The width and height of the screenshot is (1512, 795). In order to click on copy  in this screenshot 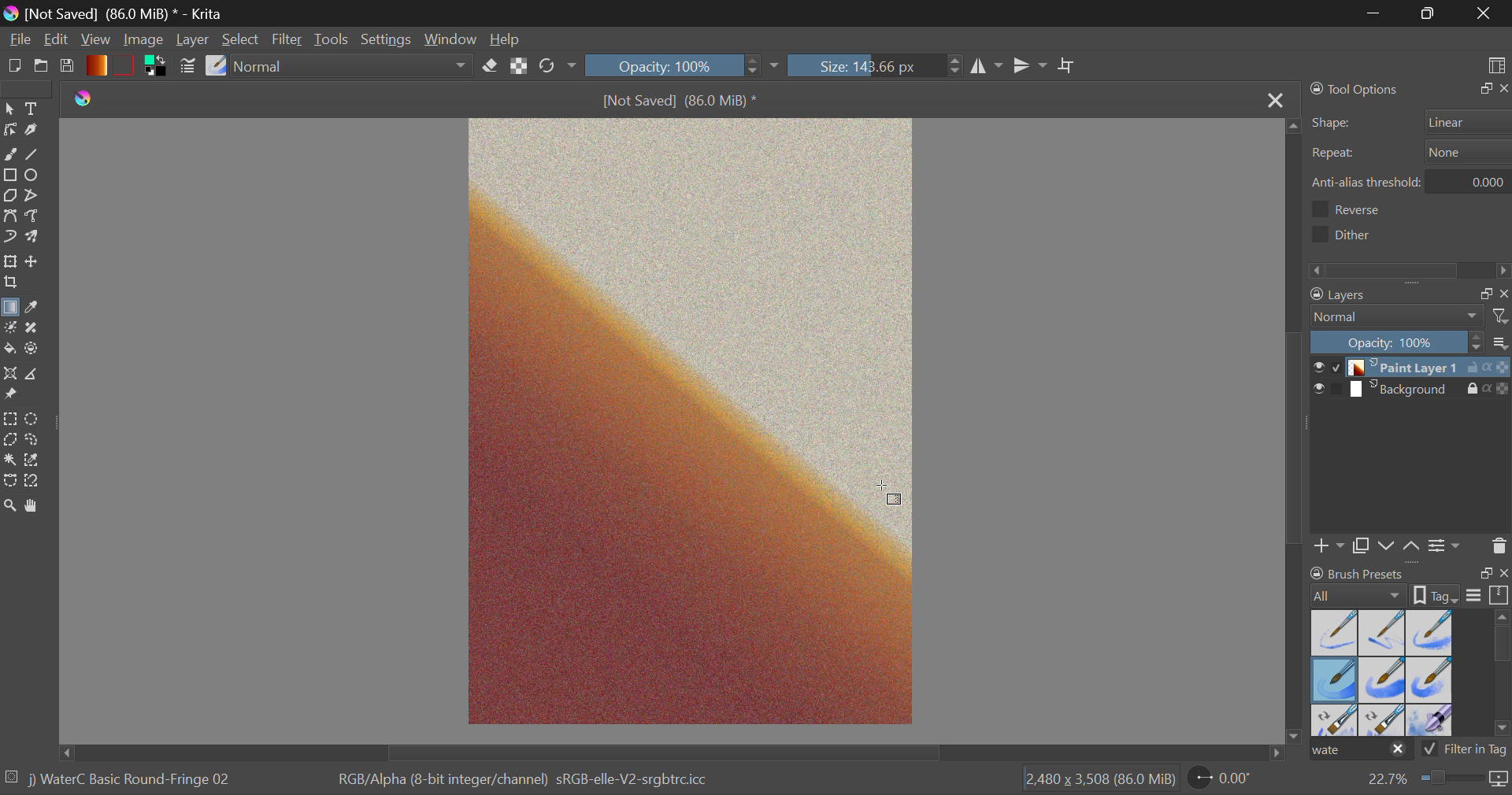, I will do `click(1482, 294)`.